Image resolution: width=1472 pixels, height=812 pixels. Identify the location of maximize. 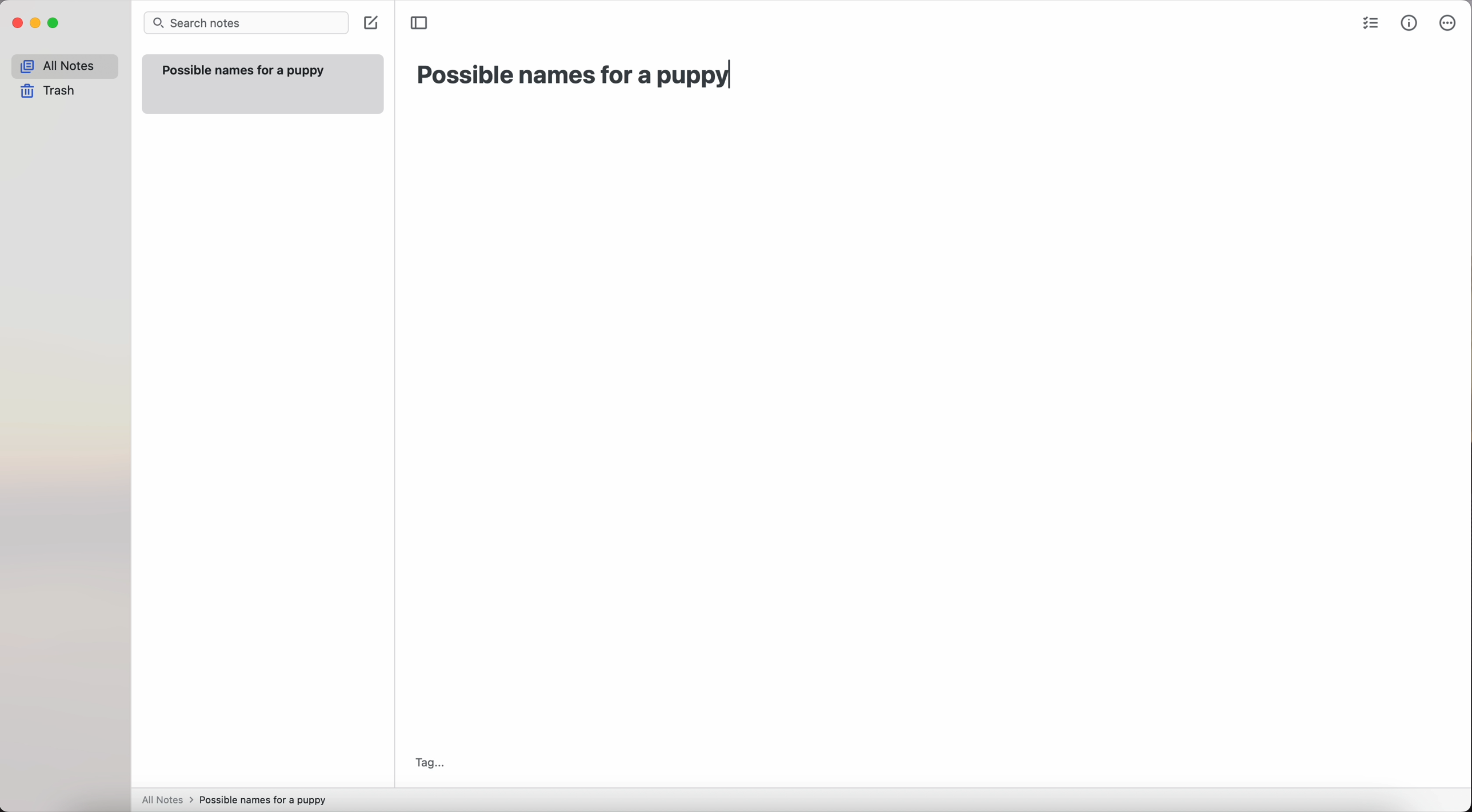
(54, 25).